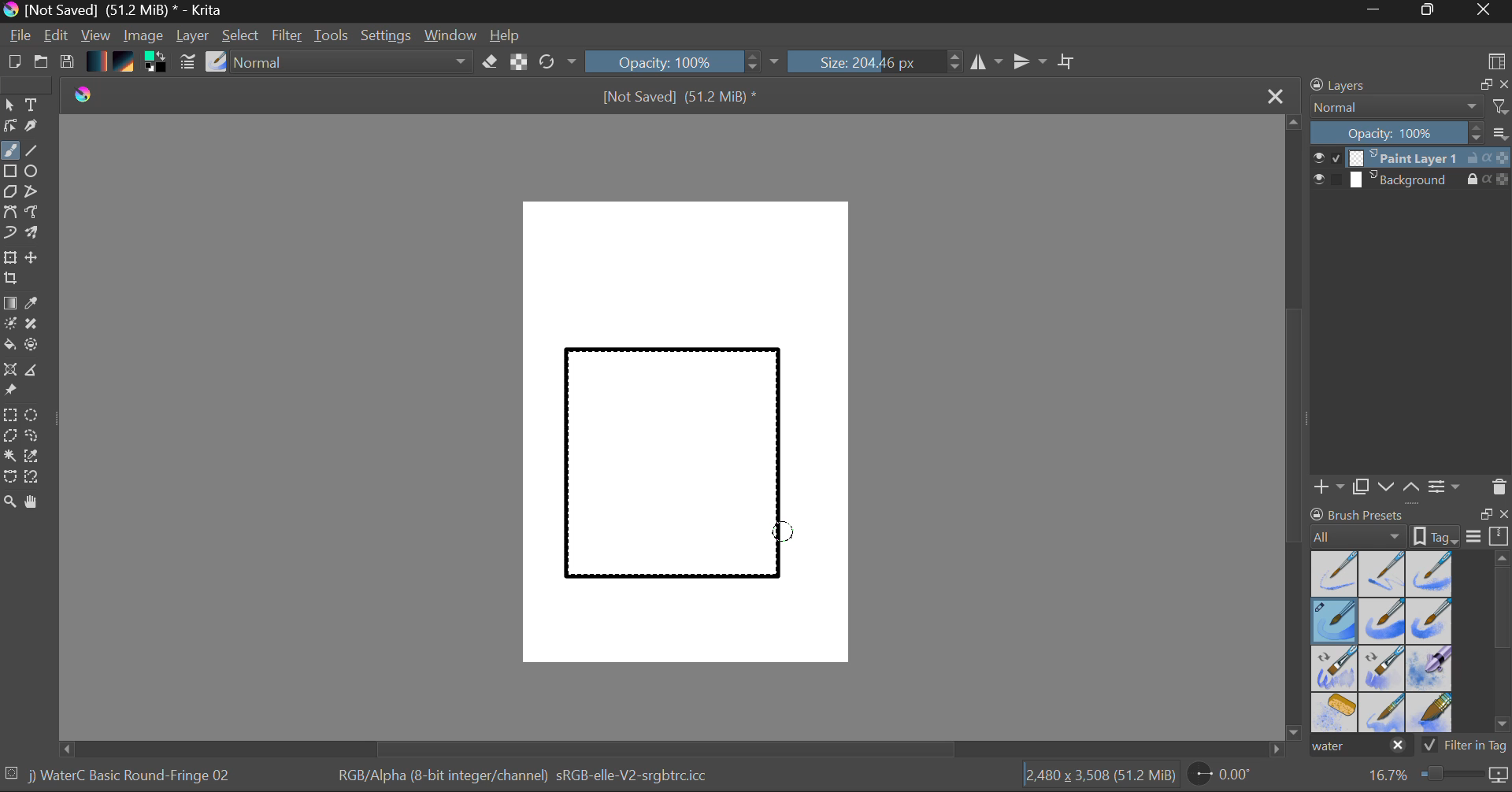 This screenshot has height=792, width=1512. Describe the element at coordinates (1228, 777) in the screenshot. I see `Page Rotation` at that location.